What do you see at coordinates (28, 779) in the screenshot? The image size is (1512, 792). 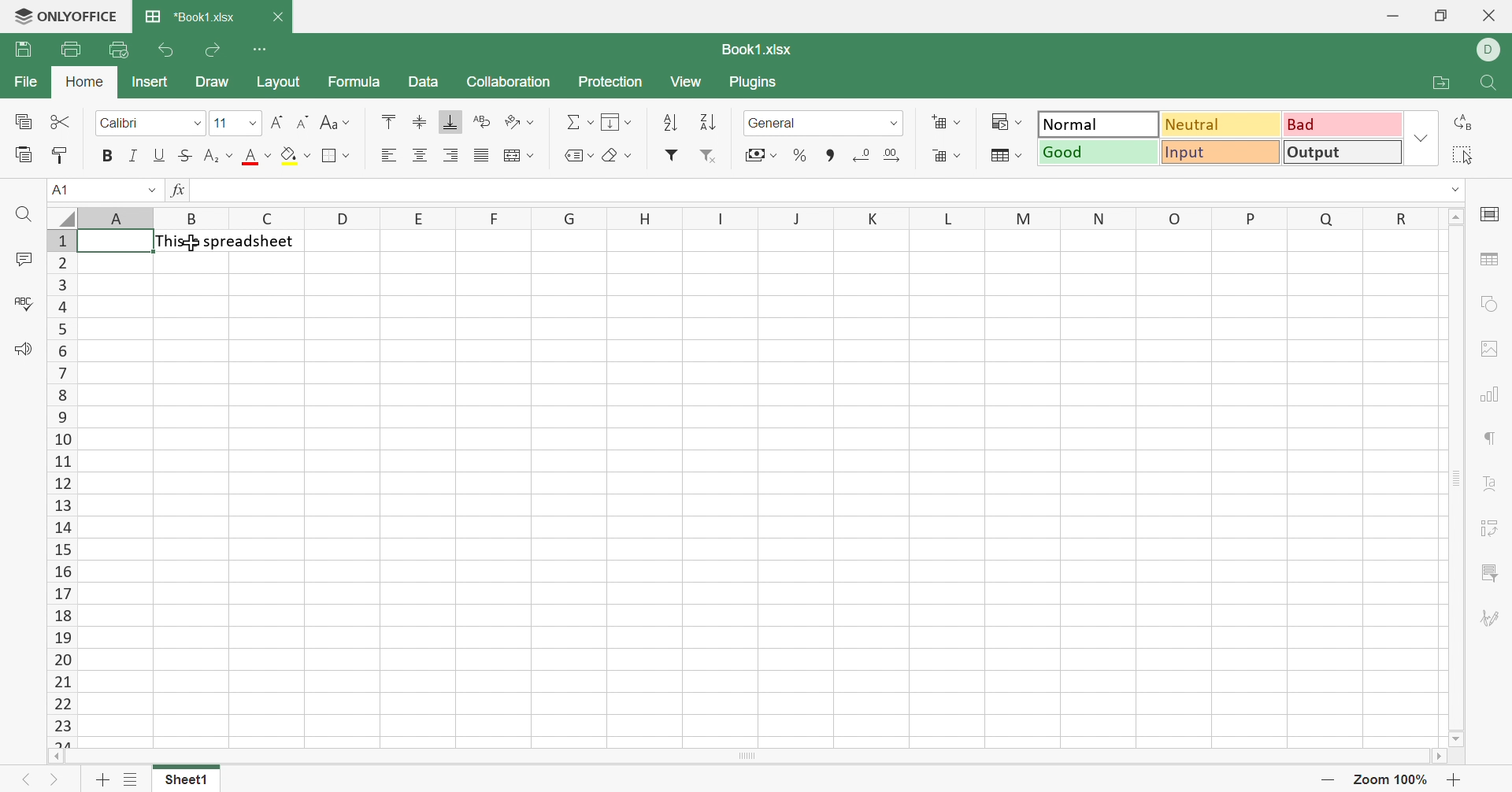 I see `Previous` at bounding box center [28, 779].